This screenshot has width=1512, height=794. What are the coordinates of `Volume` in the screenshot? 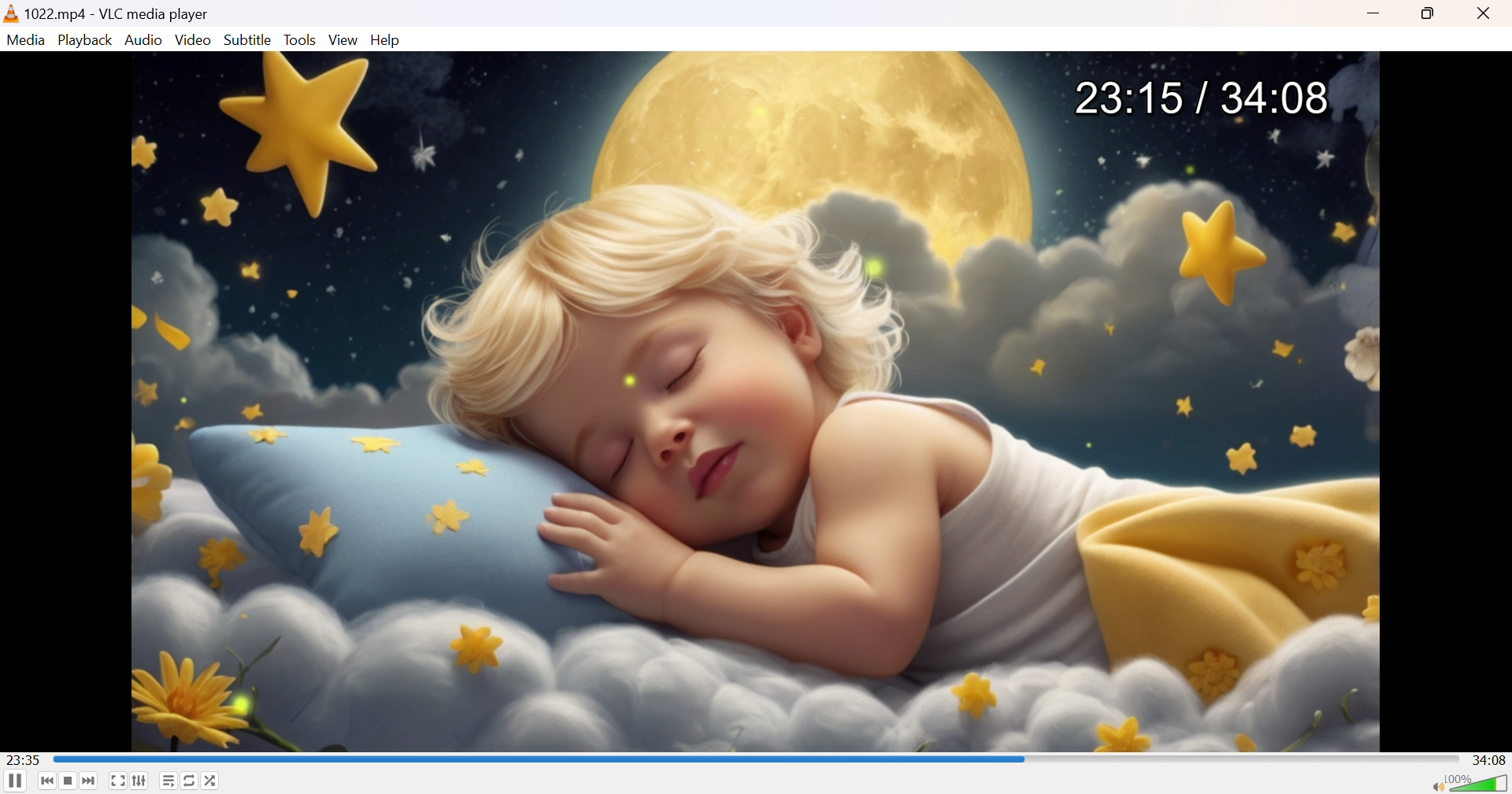 It's located at (1479, 781).